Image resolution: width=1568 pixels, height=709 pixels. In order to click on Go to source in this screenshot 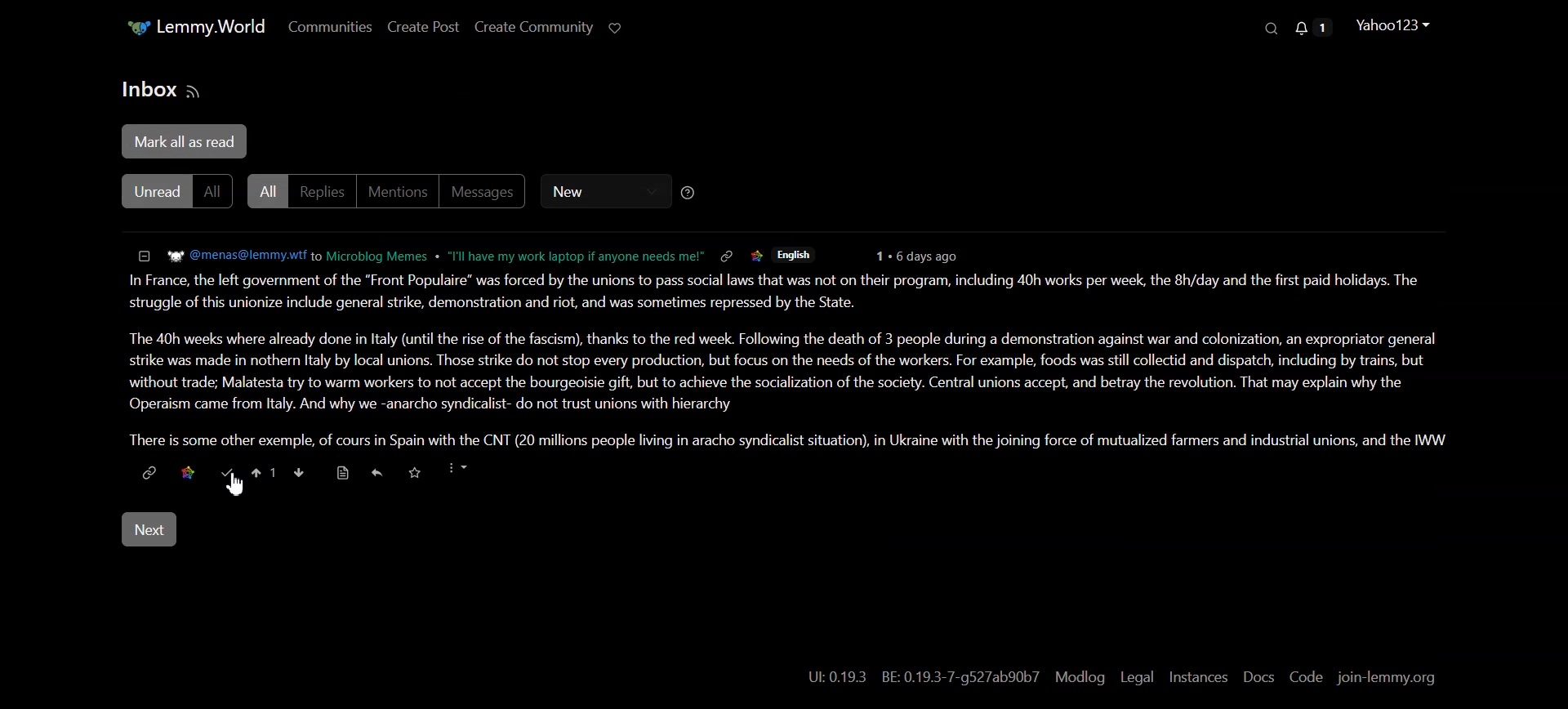, I will do `click(342, 474)`.